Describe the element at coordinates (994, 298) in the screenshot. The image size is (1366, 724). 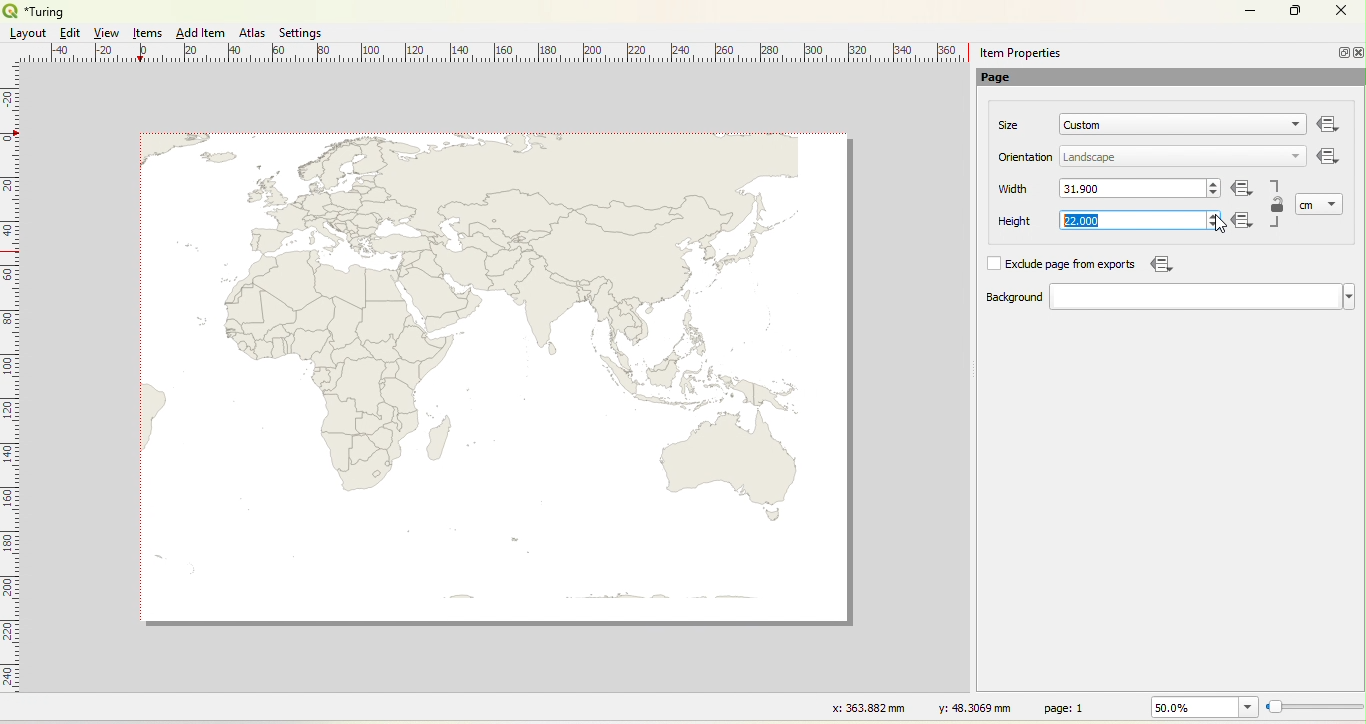
I see `Background` at that location.